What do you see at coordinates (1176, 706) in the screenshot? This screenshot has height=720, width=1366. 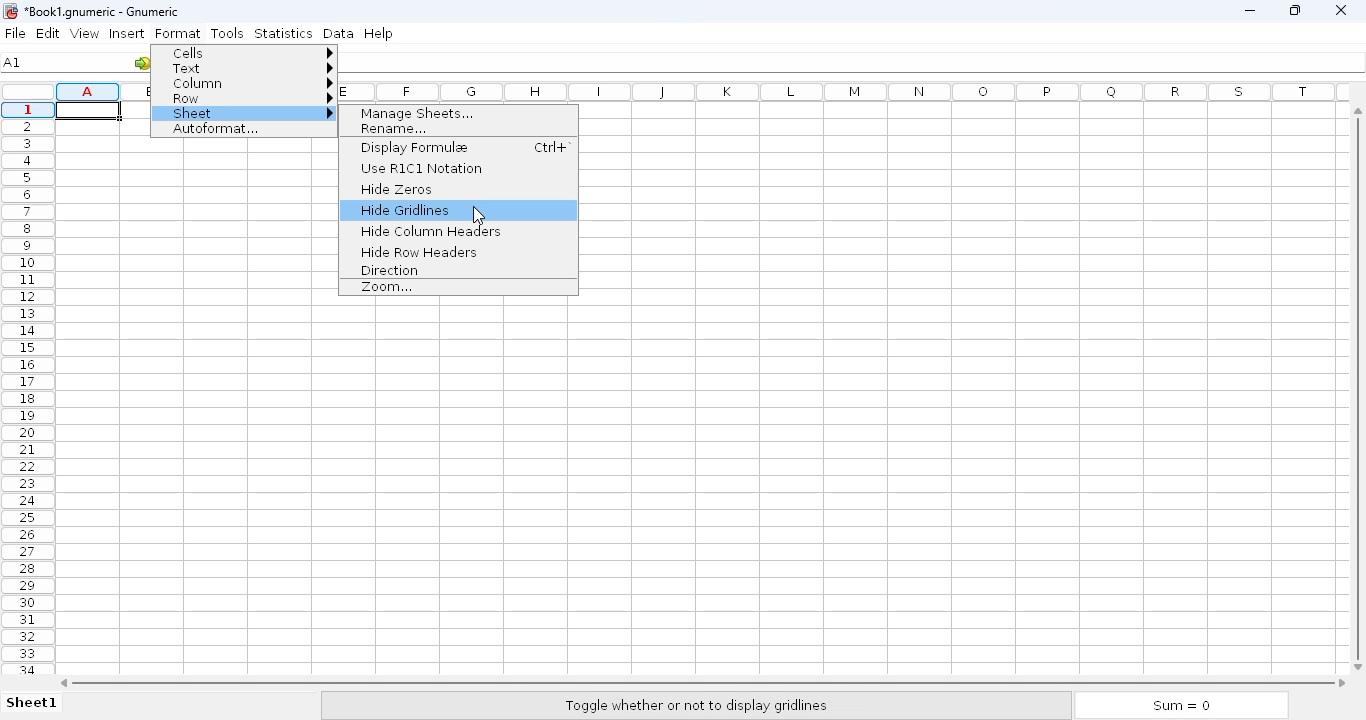 I see `Sum = 0` at bounding box center [1176, 706].